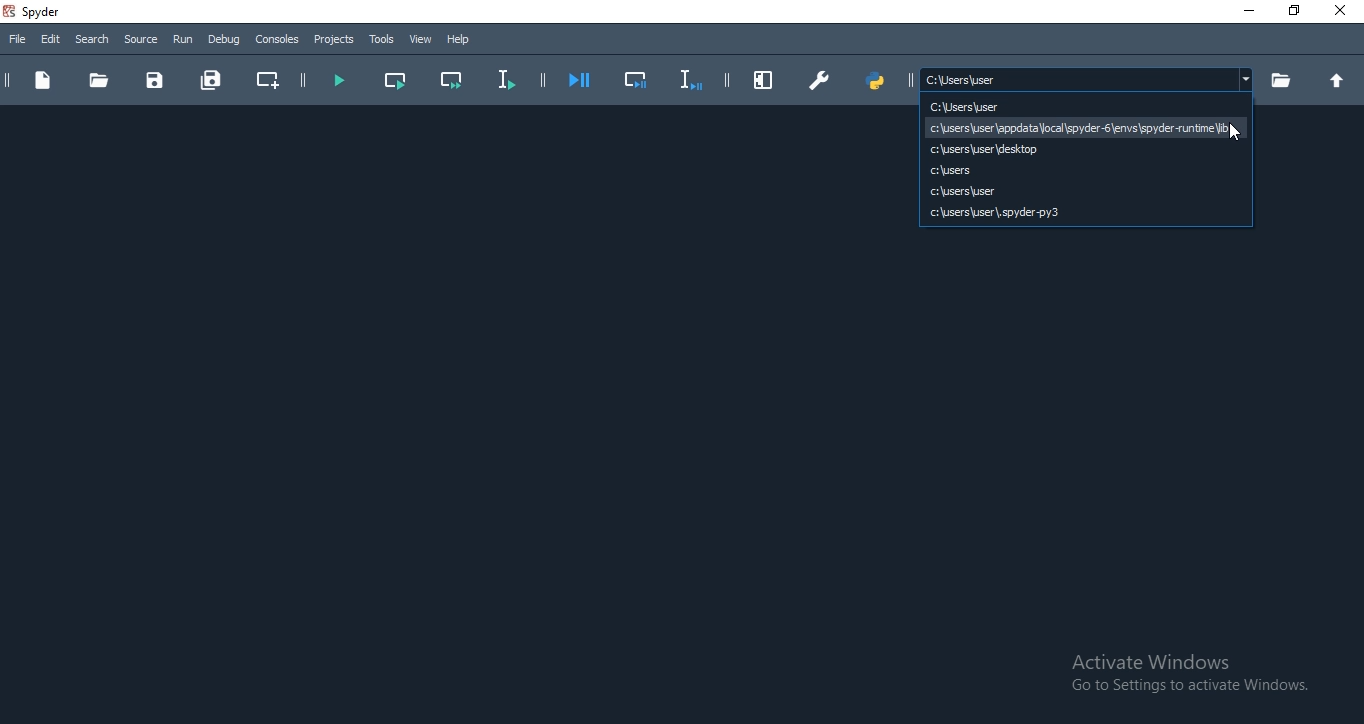 This screenshot has width=1364, height=724. I want to click on folder, so click(98, 79).